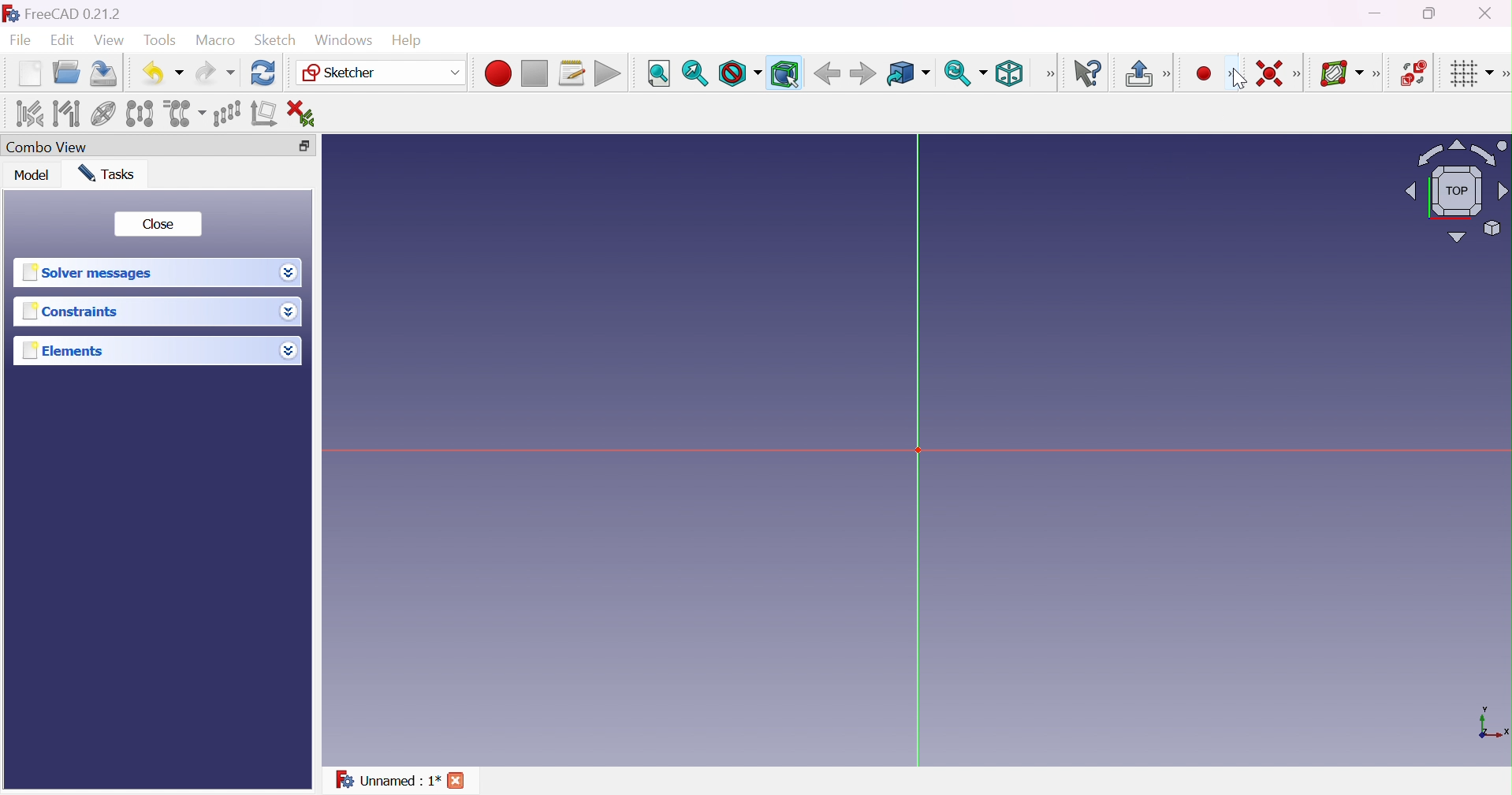  What do you see at coordinates (306, 144) in the screenshot?
I see `Restore down` at bounding box center [306, 144].